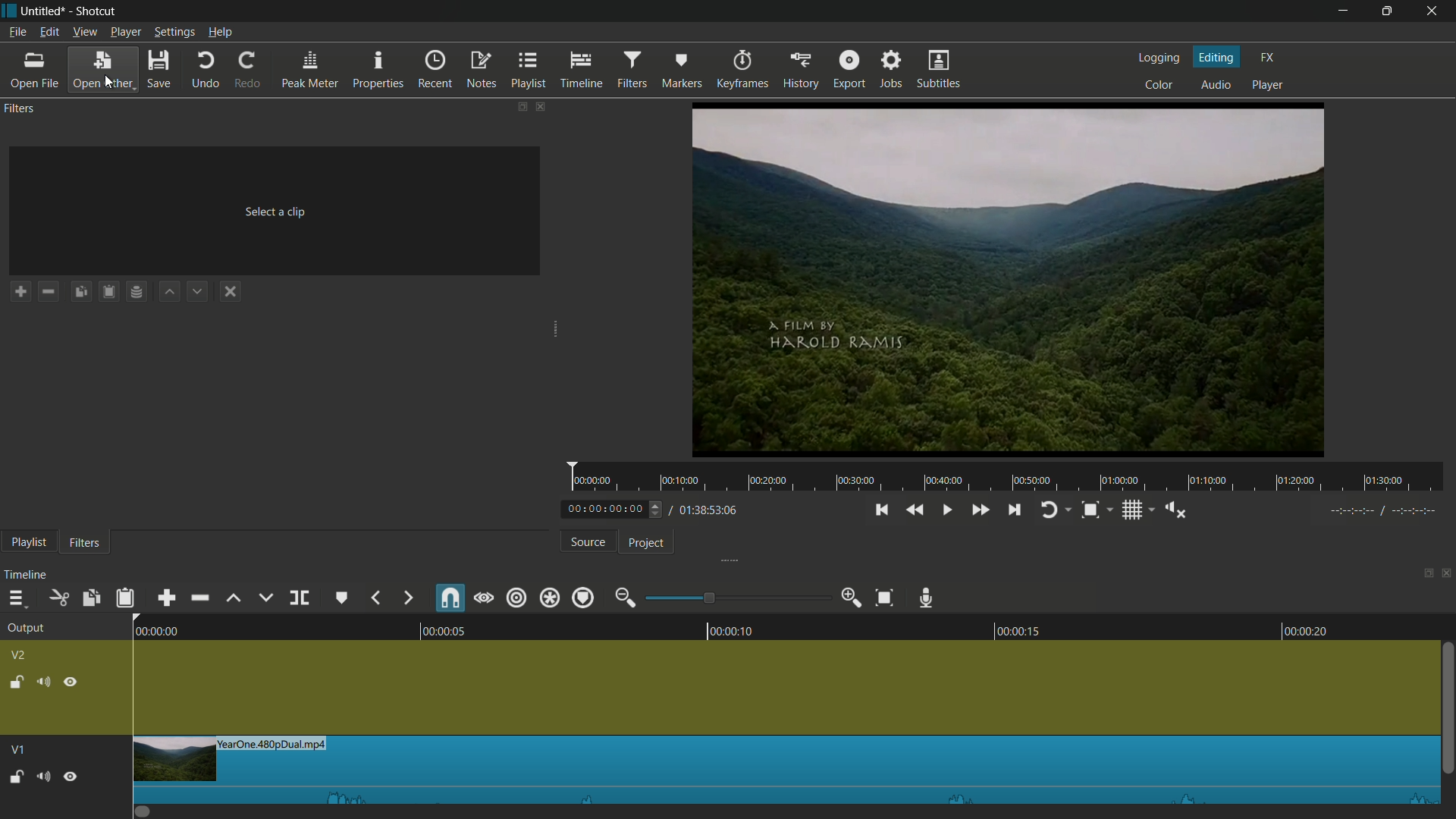 The height and width of the screenshot is (819, 1456). I want to click on paste, so click(124, 597).